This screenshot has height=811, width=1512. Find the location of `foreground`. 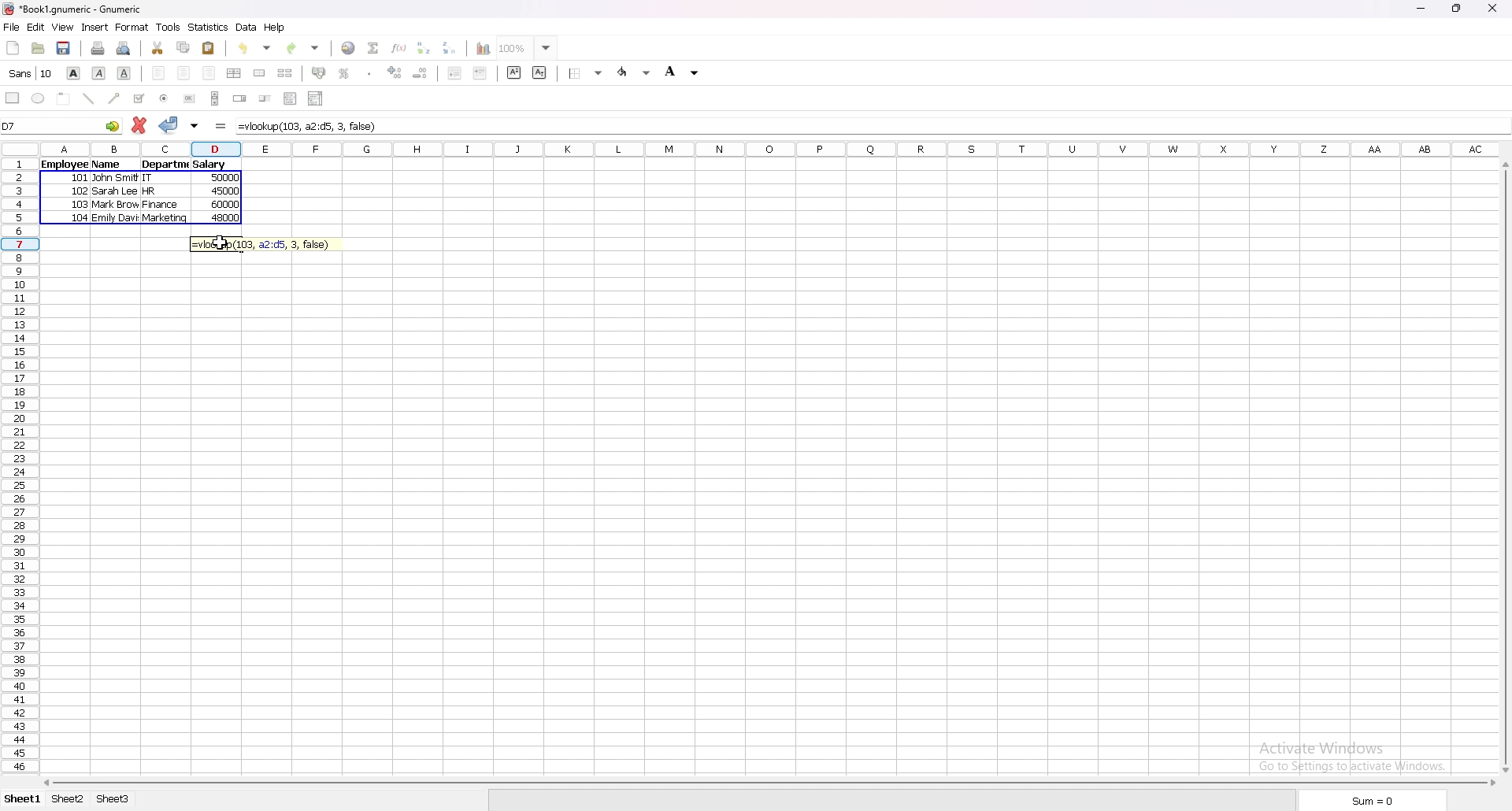

foreground is located at coordinates (635, 72).